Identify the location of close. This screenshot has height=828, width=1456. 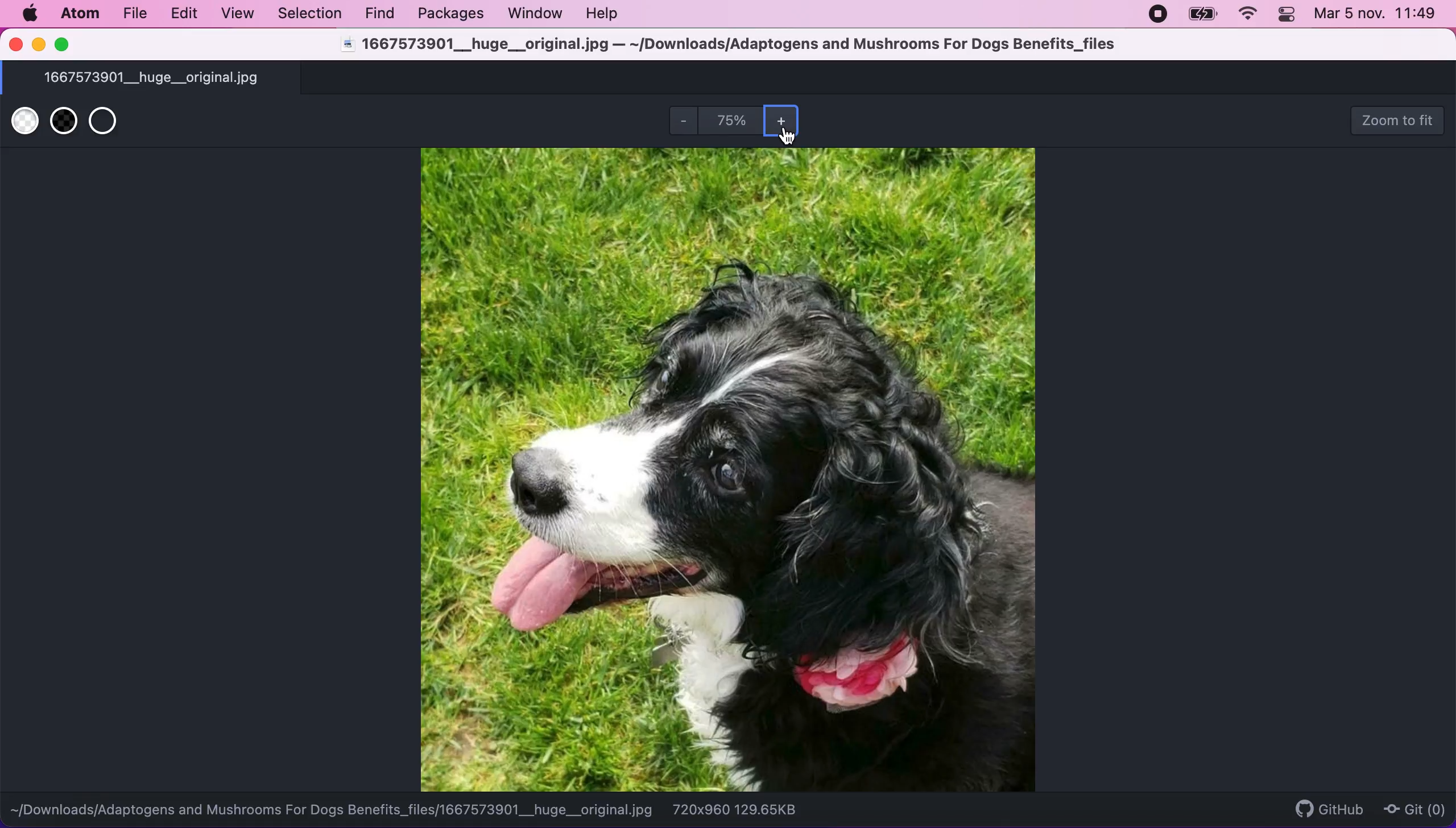
(15, 45).